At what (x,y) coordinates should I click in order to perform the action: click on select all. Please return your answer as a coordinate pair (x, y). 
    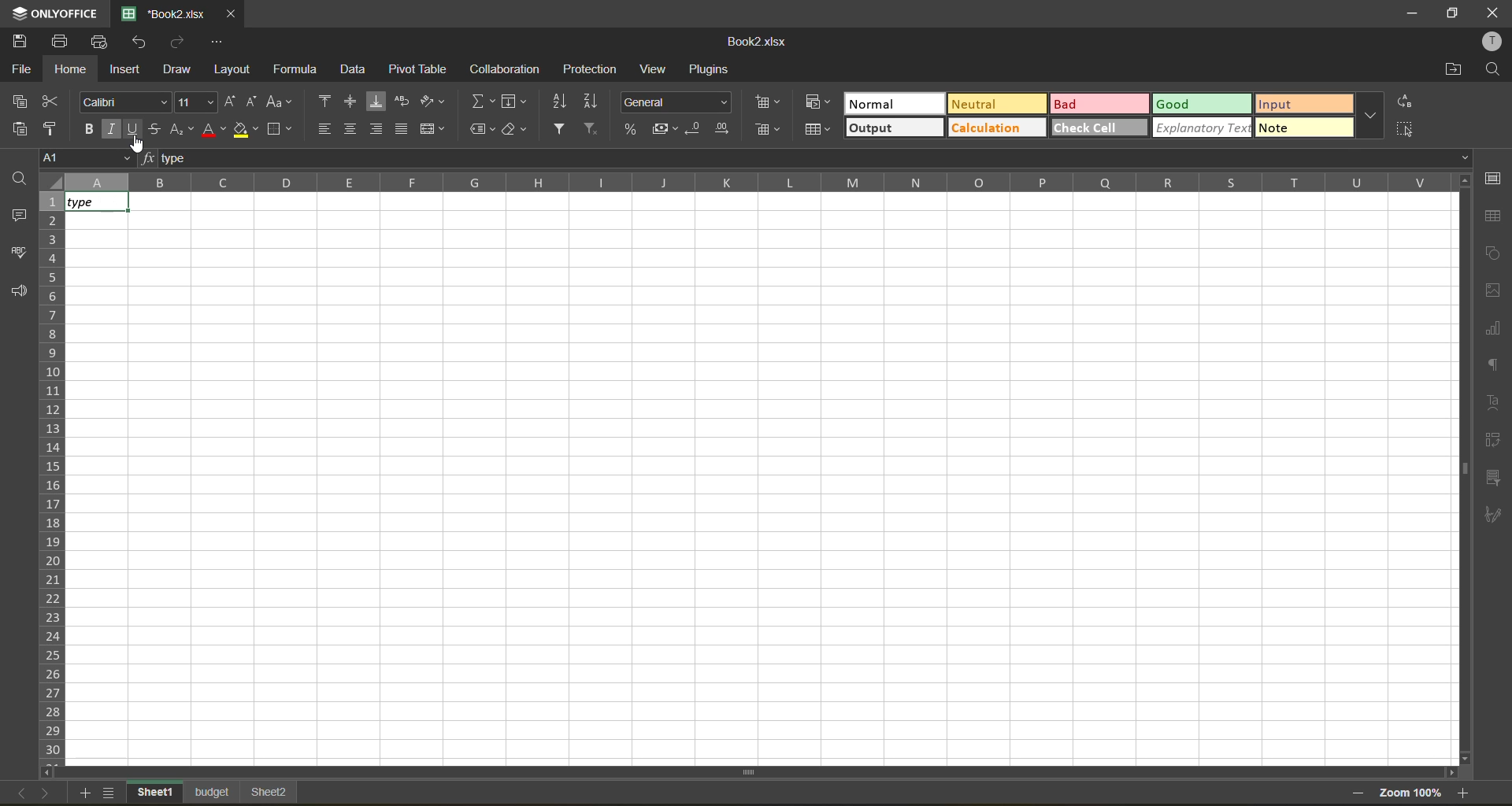
    Looking at the image, I should click on (1404, 130).